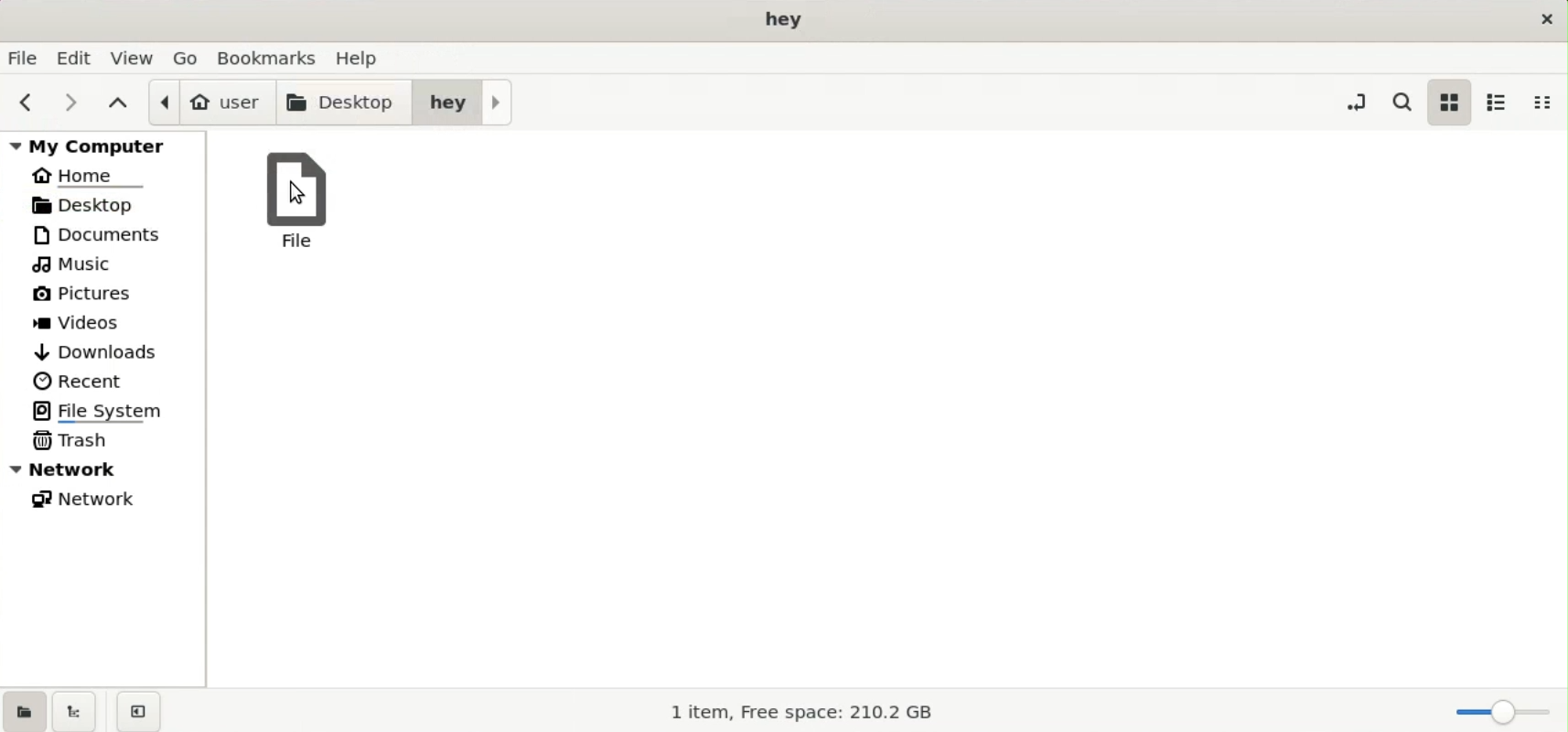  I want to click on desktop, so click(346, 101).